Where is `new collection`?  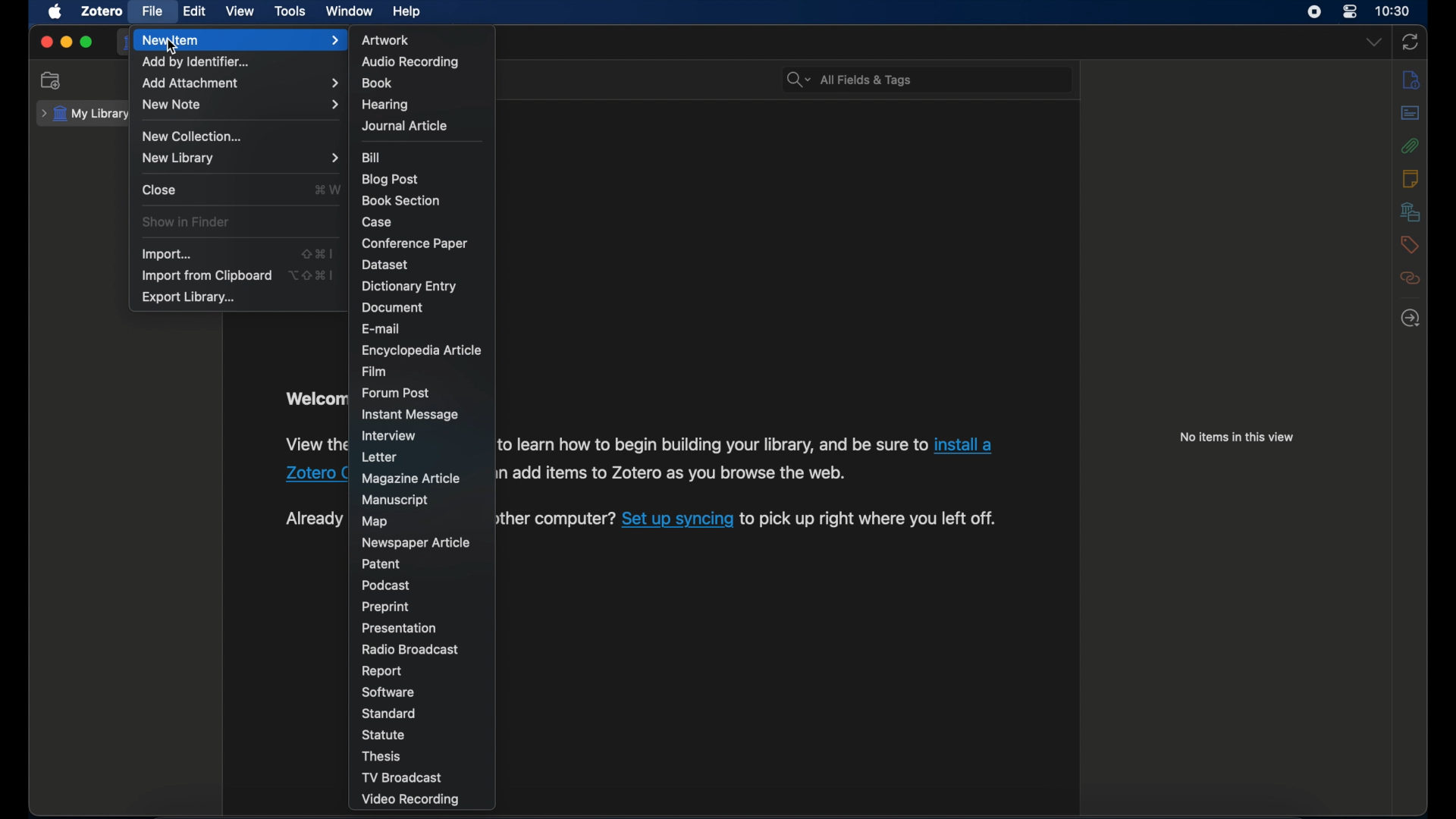 new collection is located at coordinates (194, 136).